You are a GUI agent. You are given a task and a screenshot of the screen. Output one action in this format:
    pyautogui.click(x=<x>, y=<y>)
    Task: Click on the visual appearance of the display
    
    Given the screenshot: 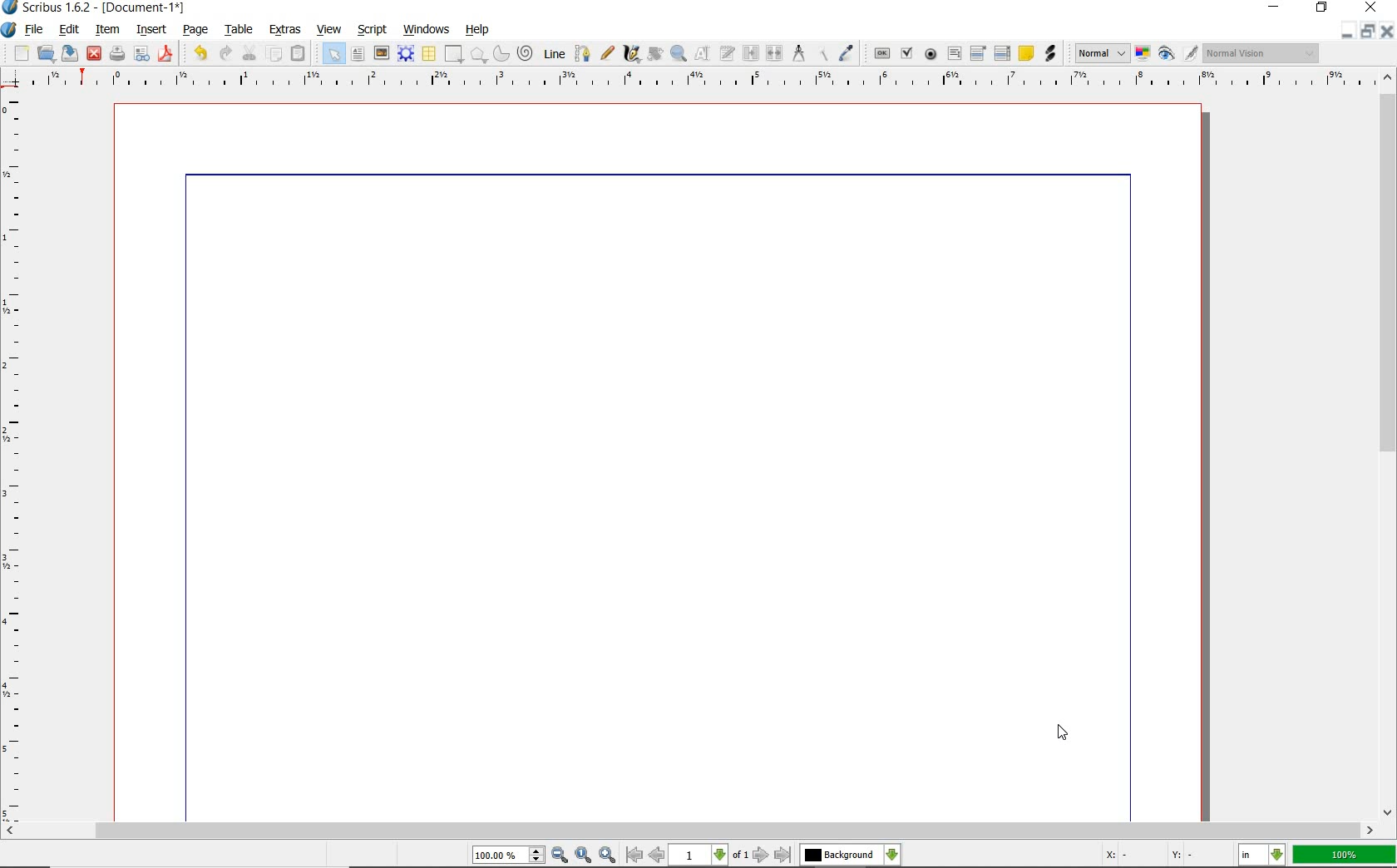 What is the action you would take?
    pyautogui.click(x=1262, y=52)
    